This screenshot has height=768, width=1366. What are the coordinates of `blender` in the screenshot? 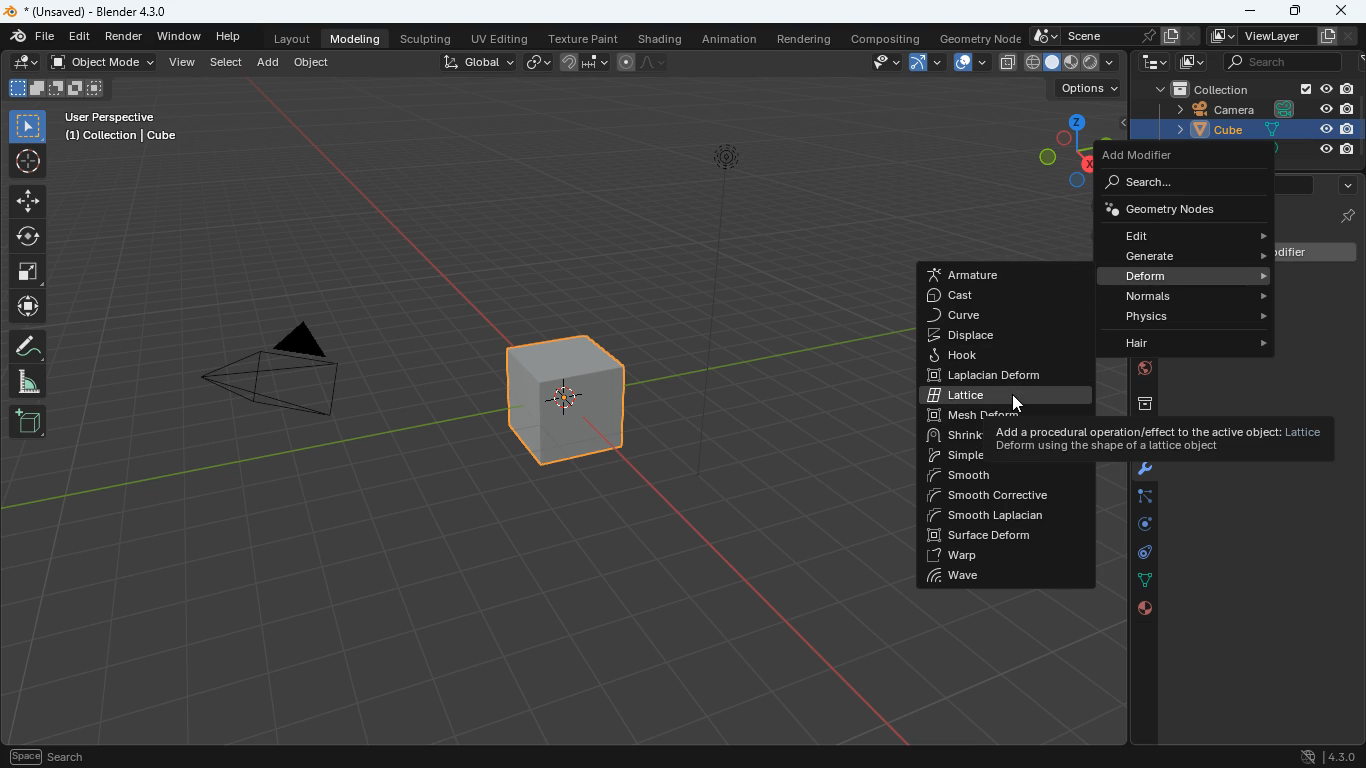 It's located at (32, 36).